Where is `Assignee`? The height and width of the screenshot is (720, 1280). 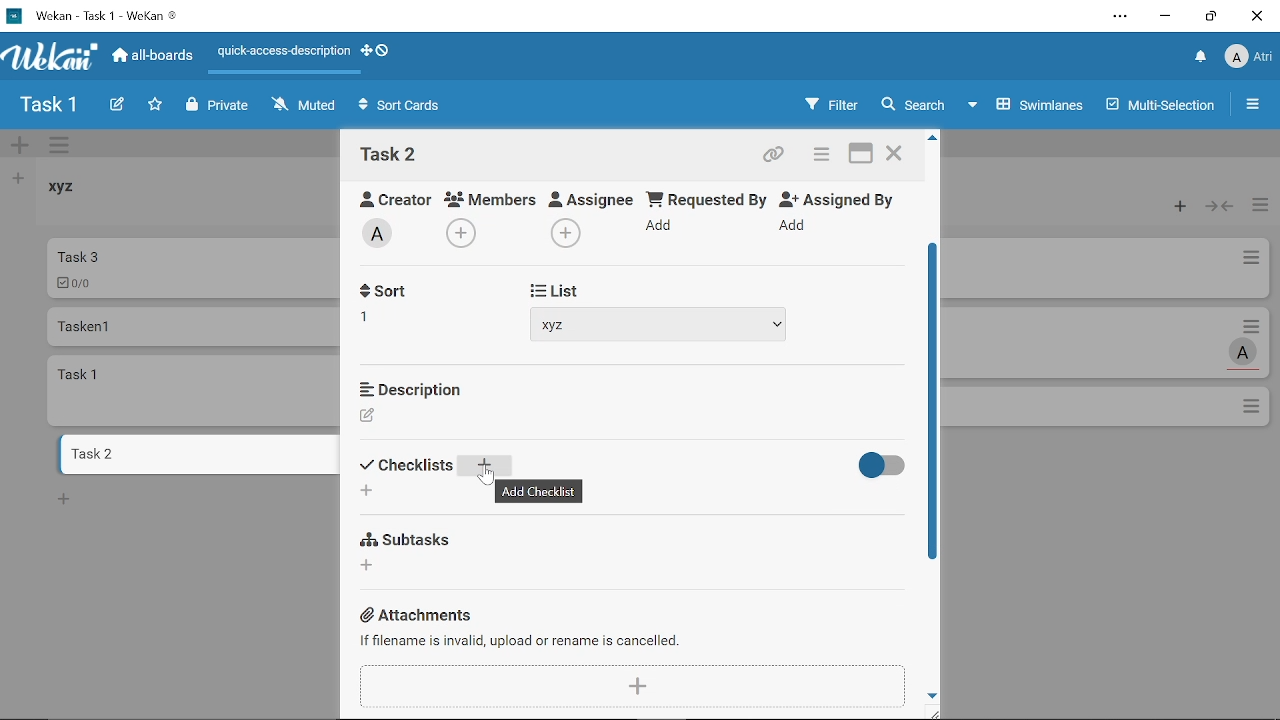 Assignee is located at coordinates (592, 197).